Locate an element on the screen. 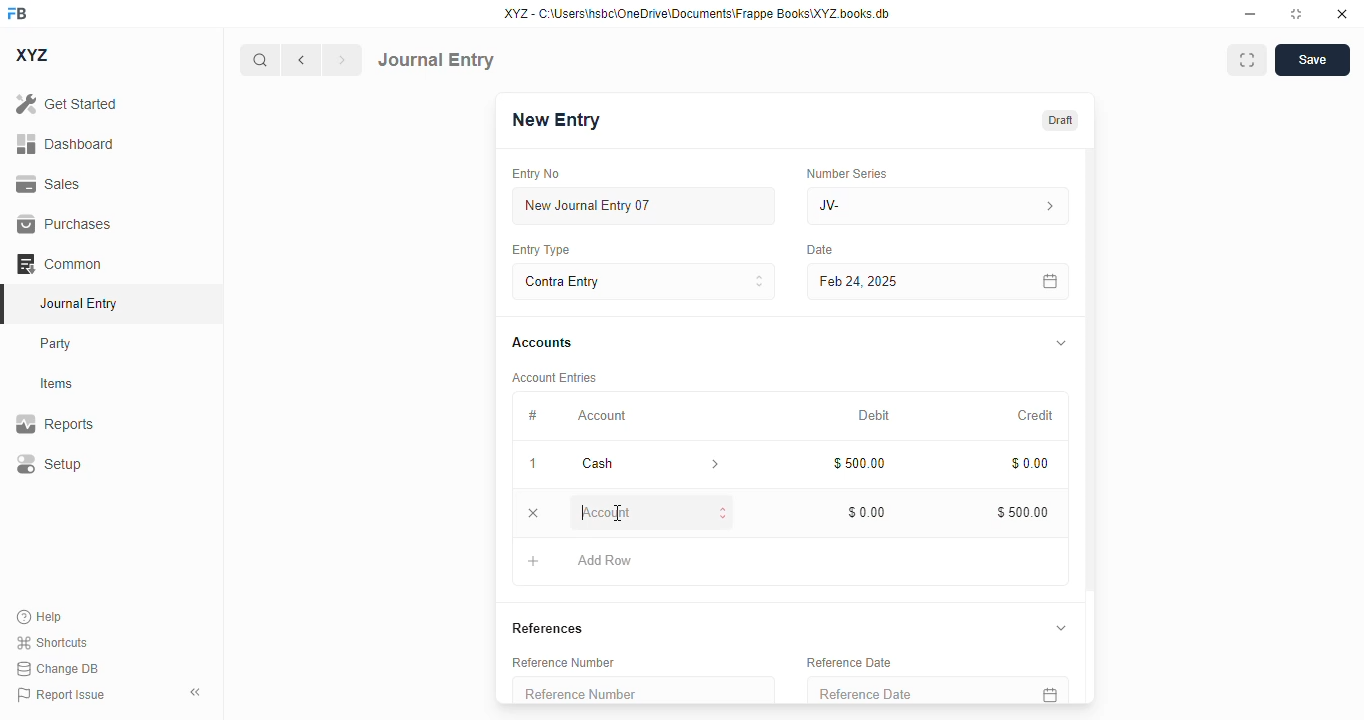 The height and width of the screenshot is (720, 1364). account -  typing is located at coordinates (654, 513).